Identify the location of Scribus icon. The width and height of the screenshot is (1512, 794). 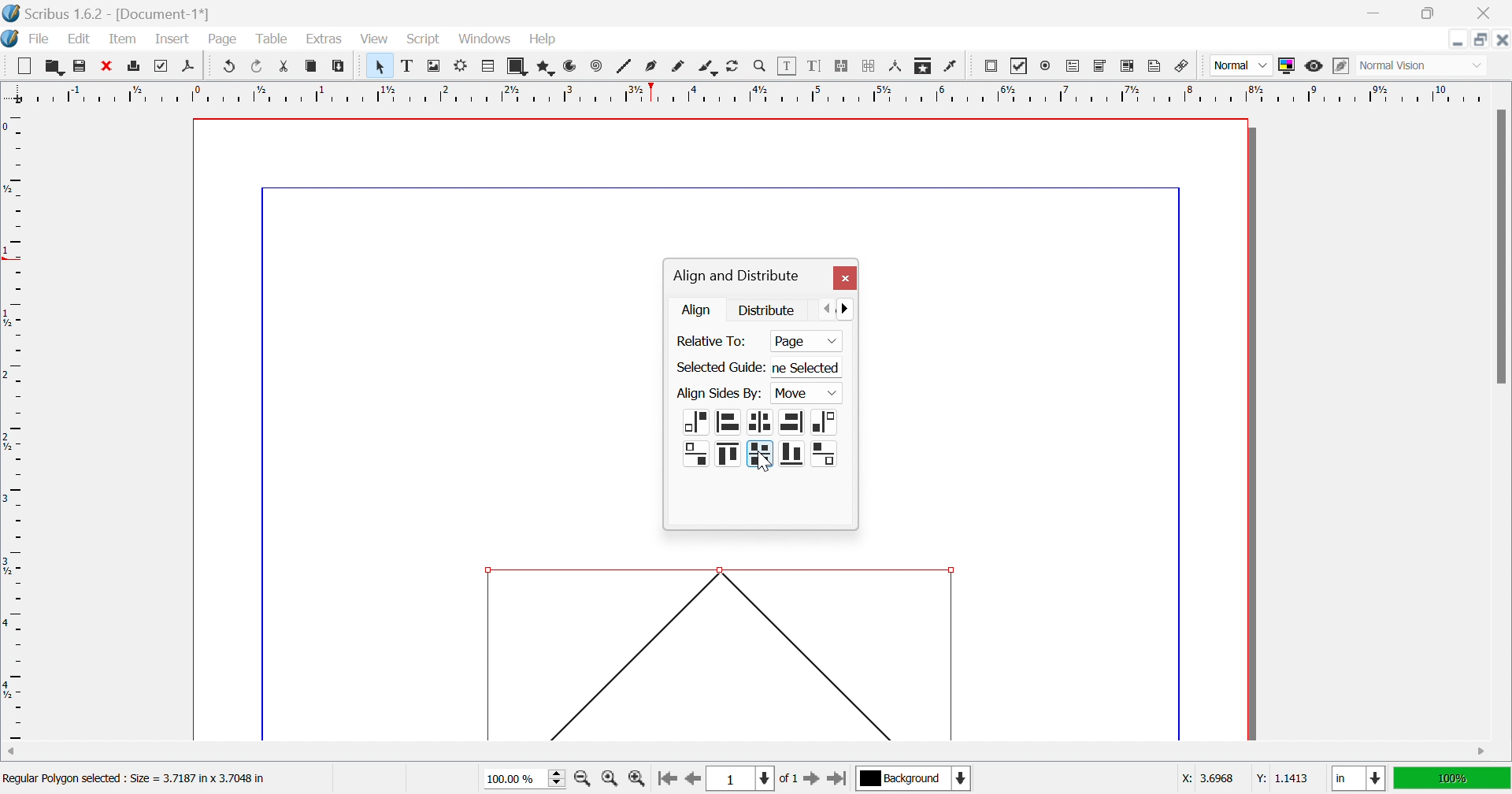
(9, 39).